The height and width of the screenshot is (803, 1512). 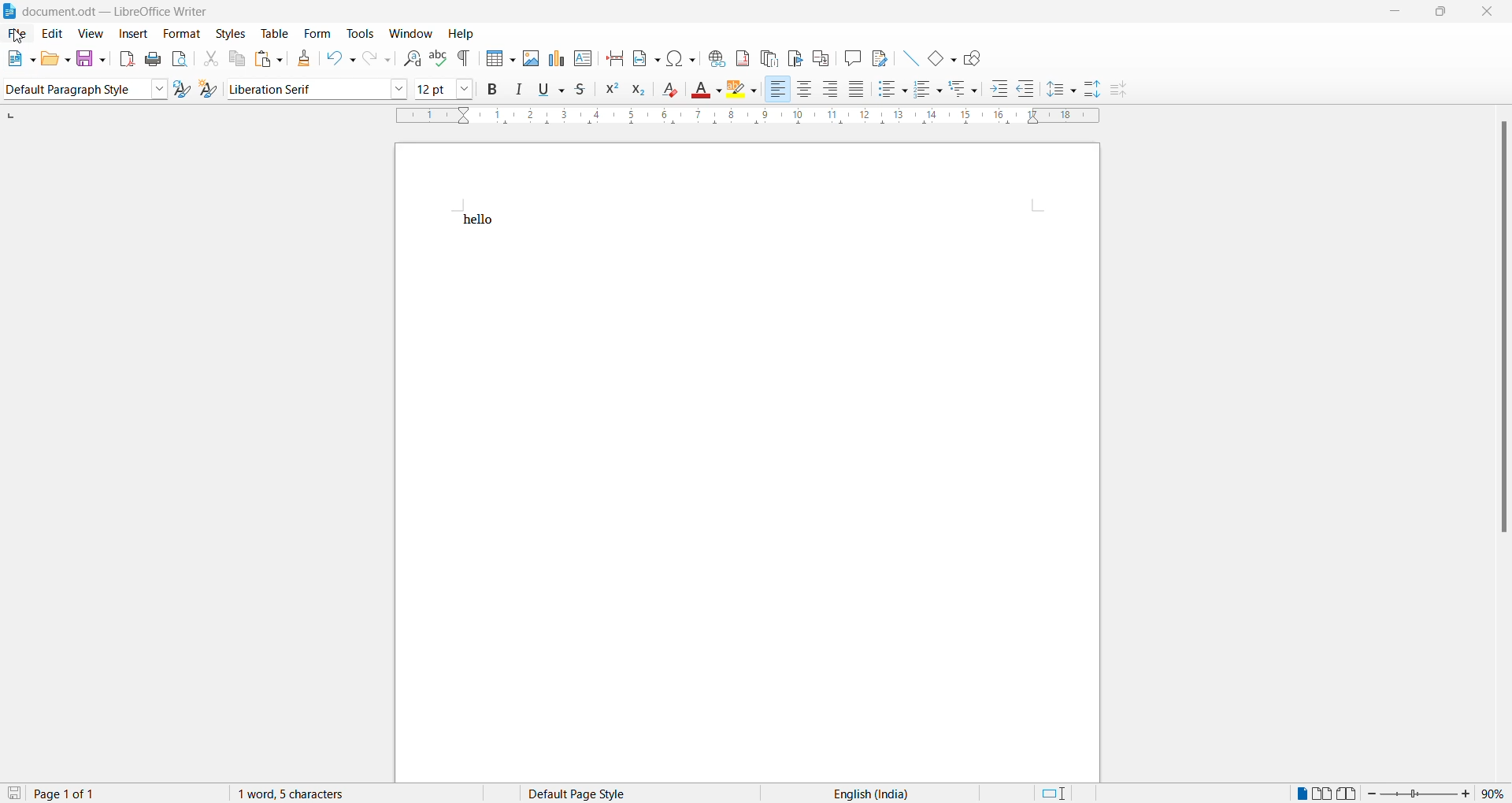 I want to click on Insert cross reference, so click(x=819, y=59).